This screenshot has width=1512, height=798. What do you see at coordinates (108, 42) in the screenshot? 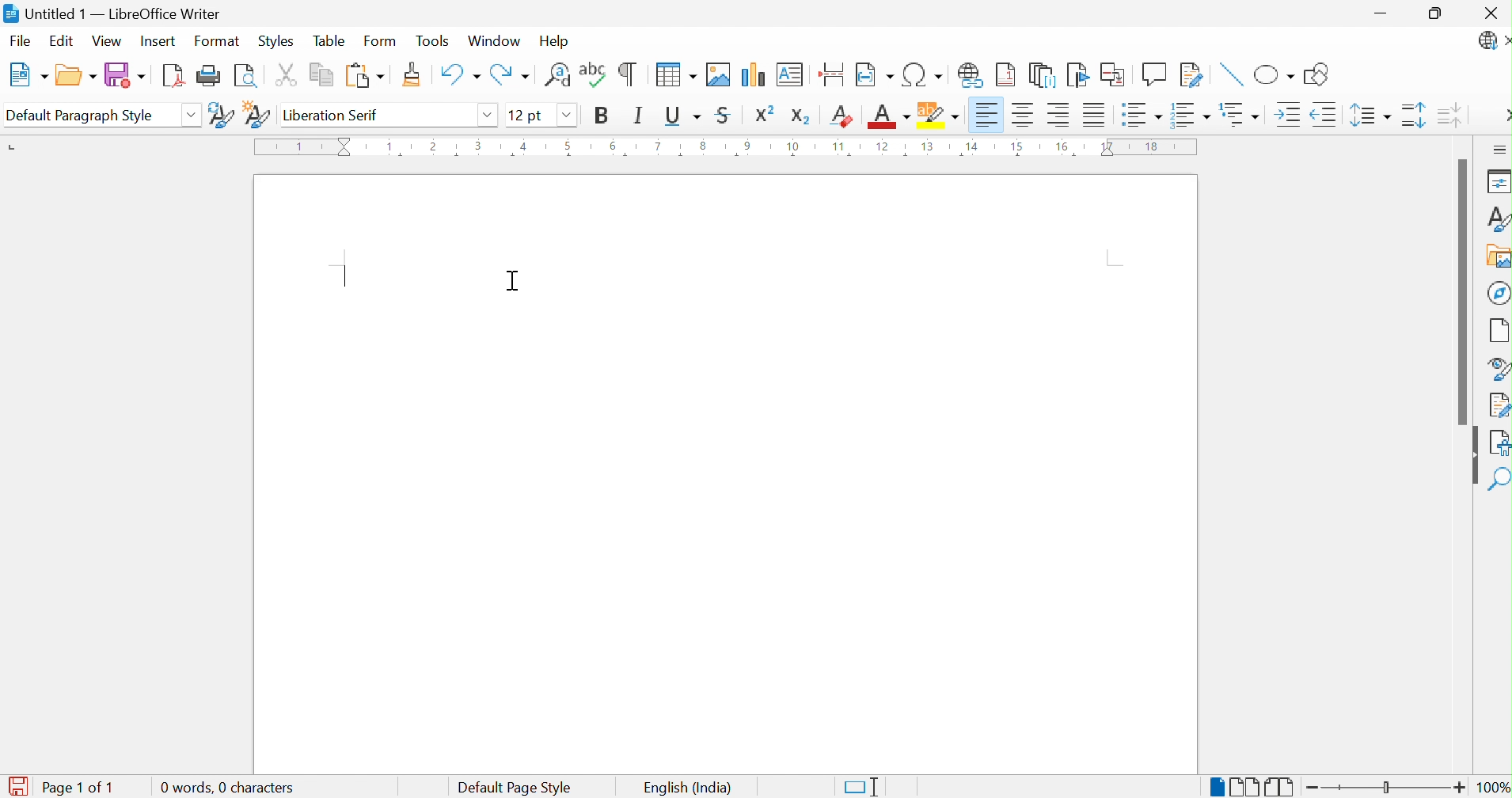
I see `View` at bounding box center [108, 42].